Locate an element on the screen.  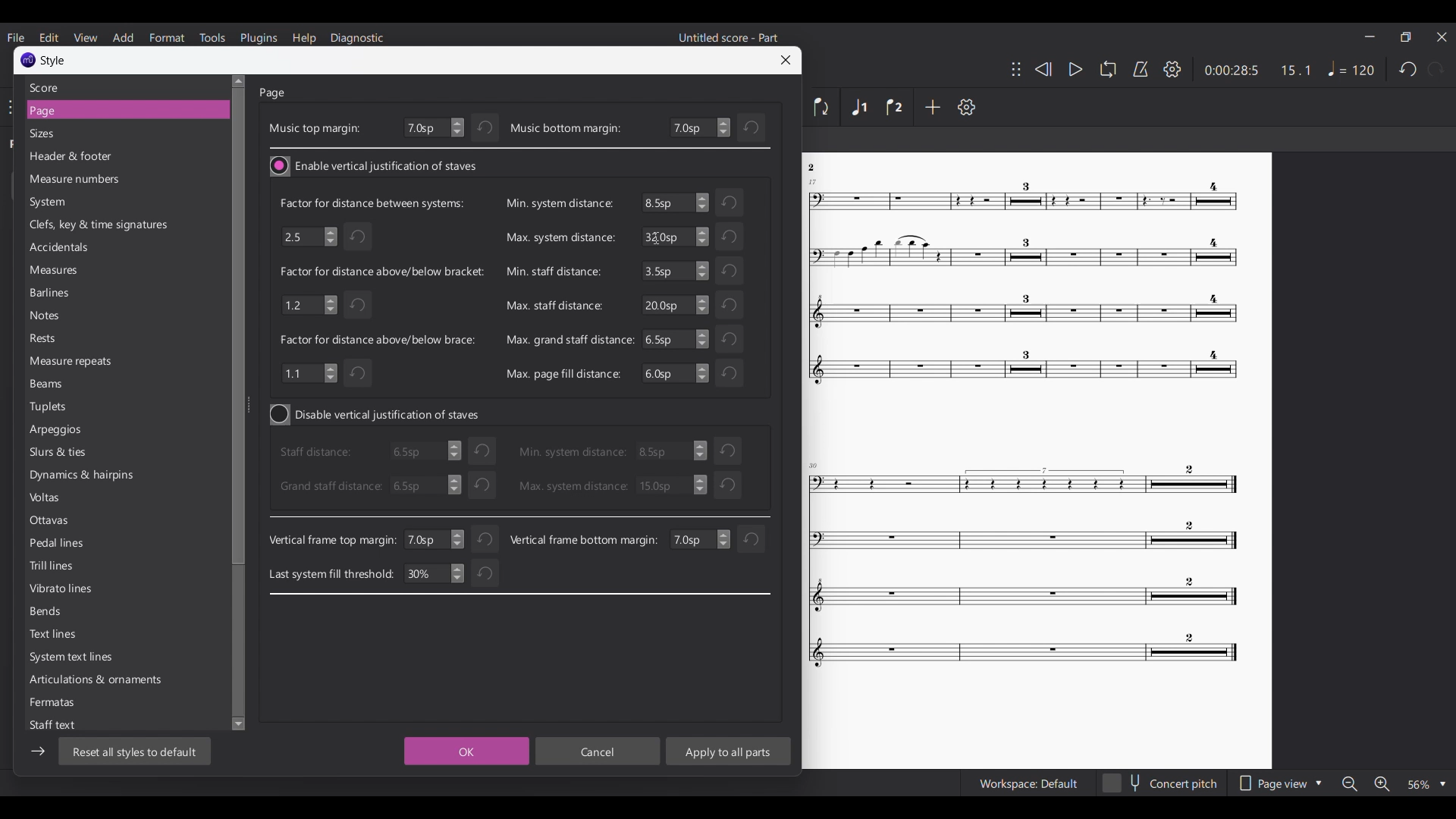
Sizes is located at coordinates (115, 133).